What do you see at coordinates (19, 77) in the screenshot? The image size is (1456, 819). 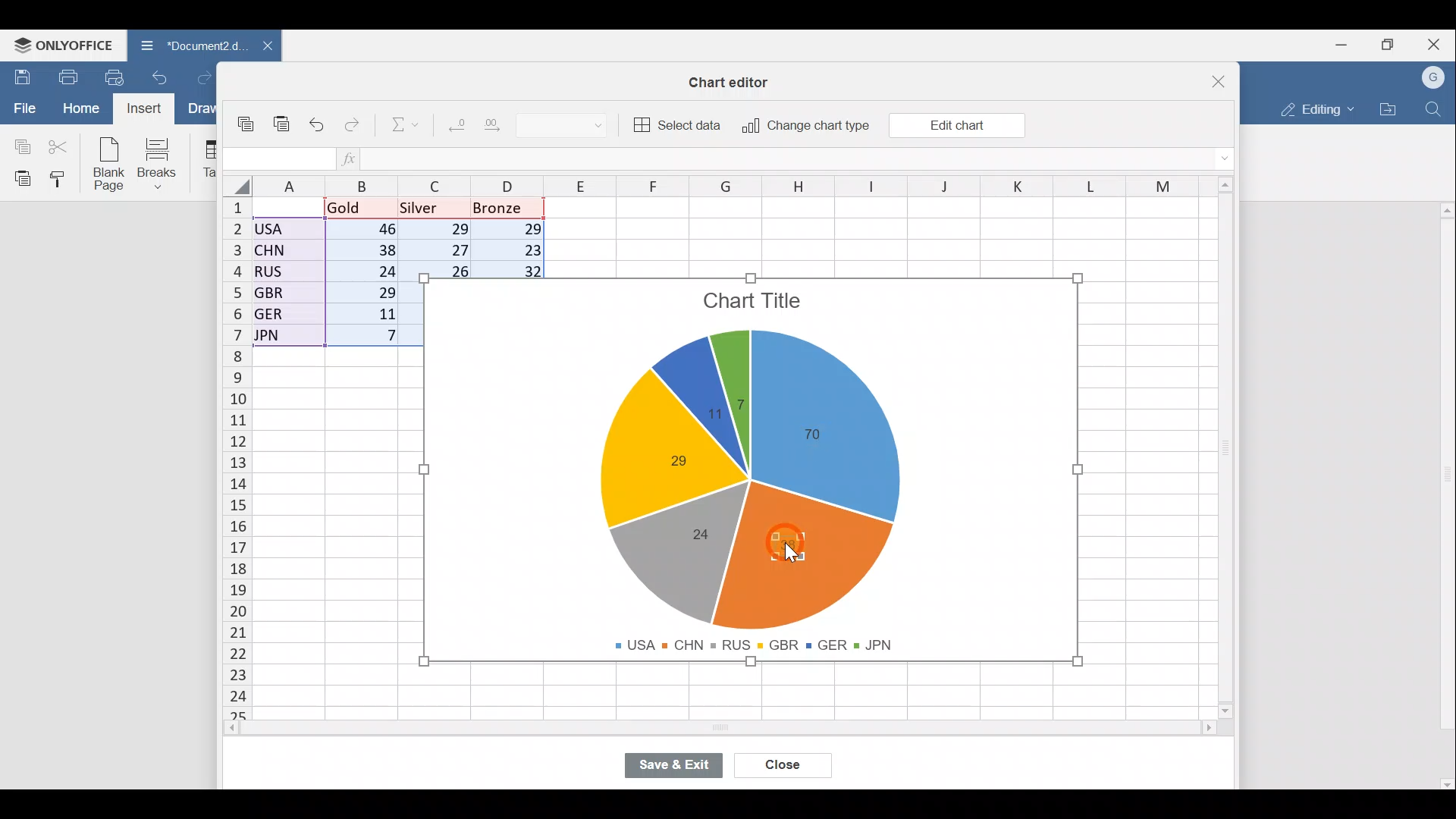 I see `Save` at bounding box center [19, 77].